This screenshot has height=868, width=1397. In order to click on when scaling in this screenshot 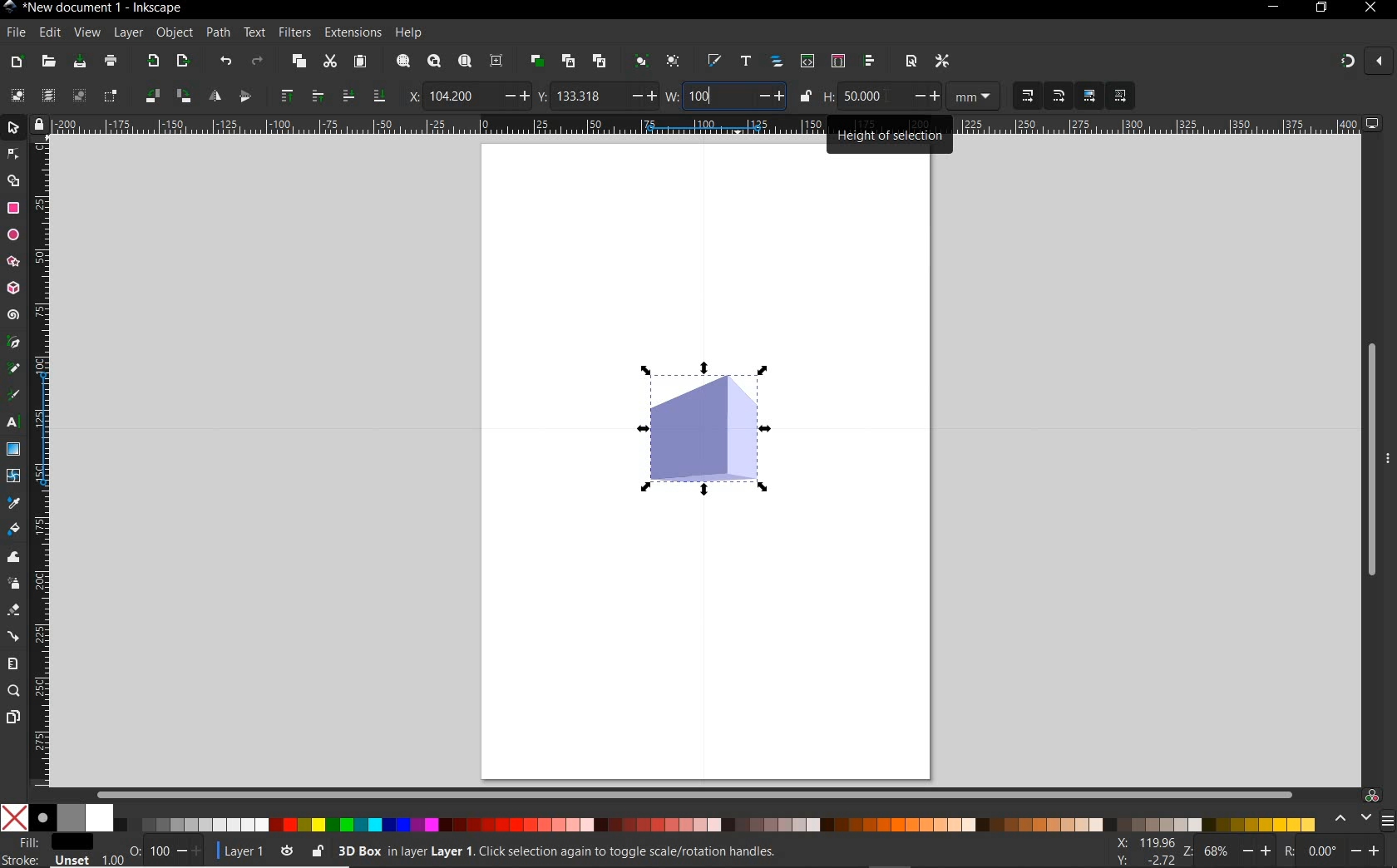, I will do `click(1059, 96)`.